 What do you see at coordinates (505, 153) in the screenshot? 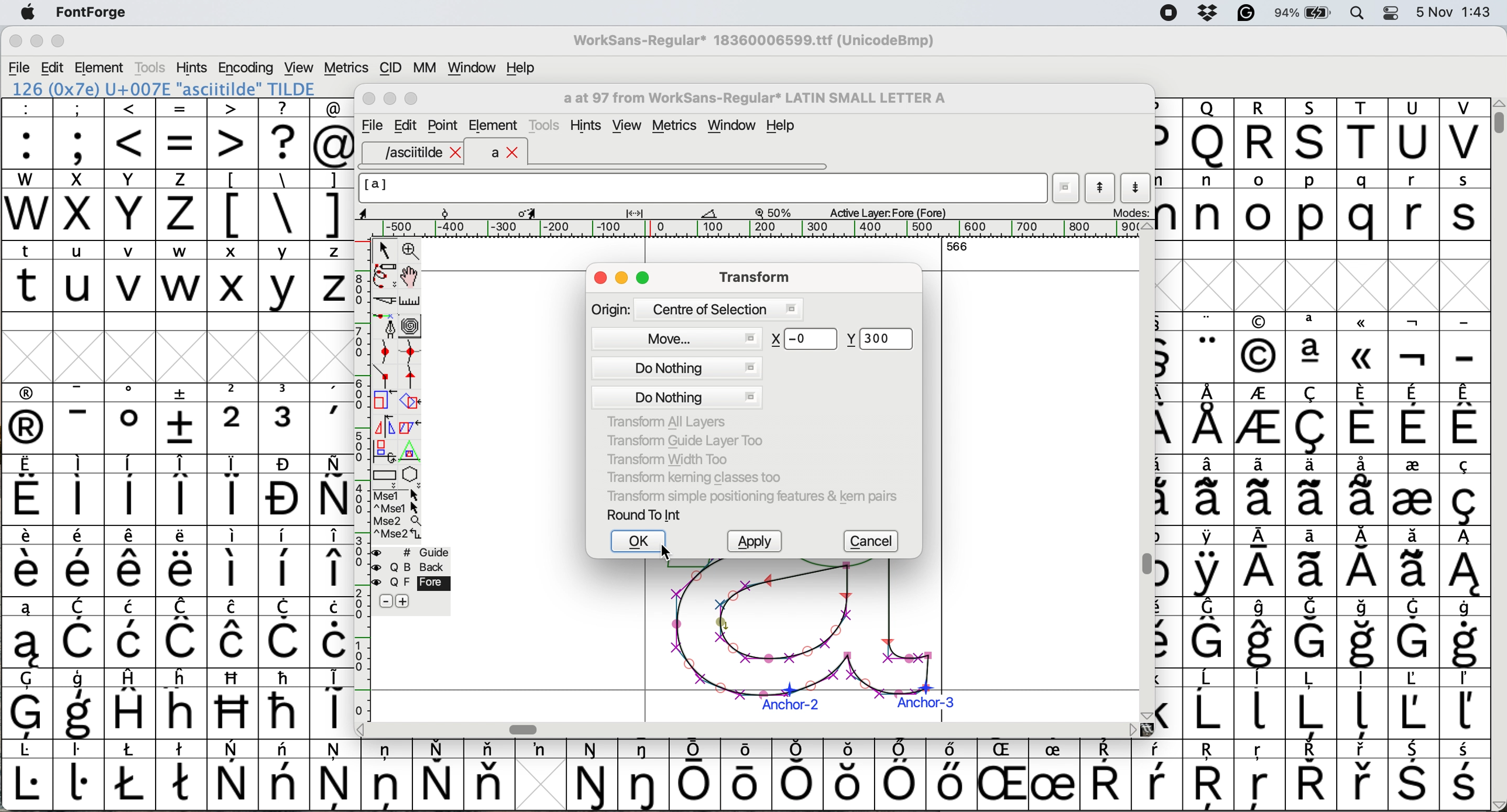
I see `a` at bounding box center [505, 153].